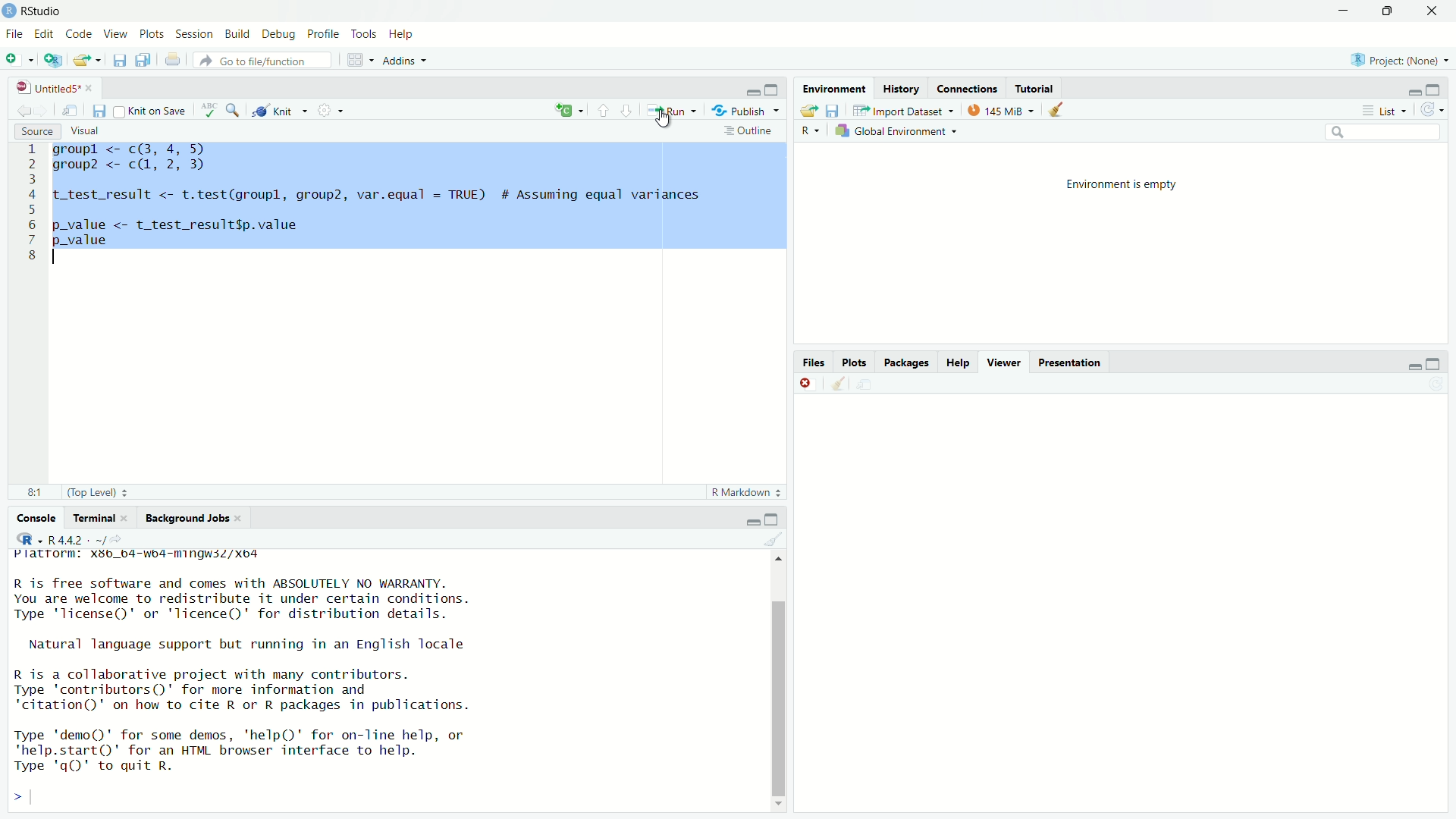  I want to click on maximise, so click(1440, 86).